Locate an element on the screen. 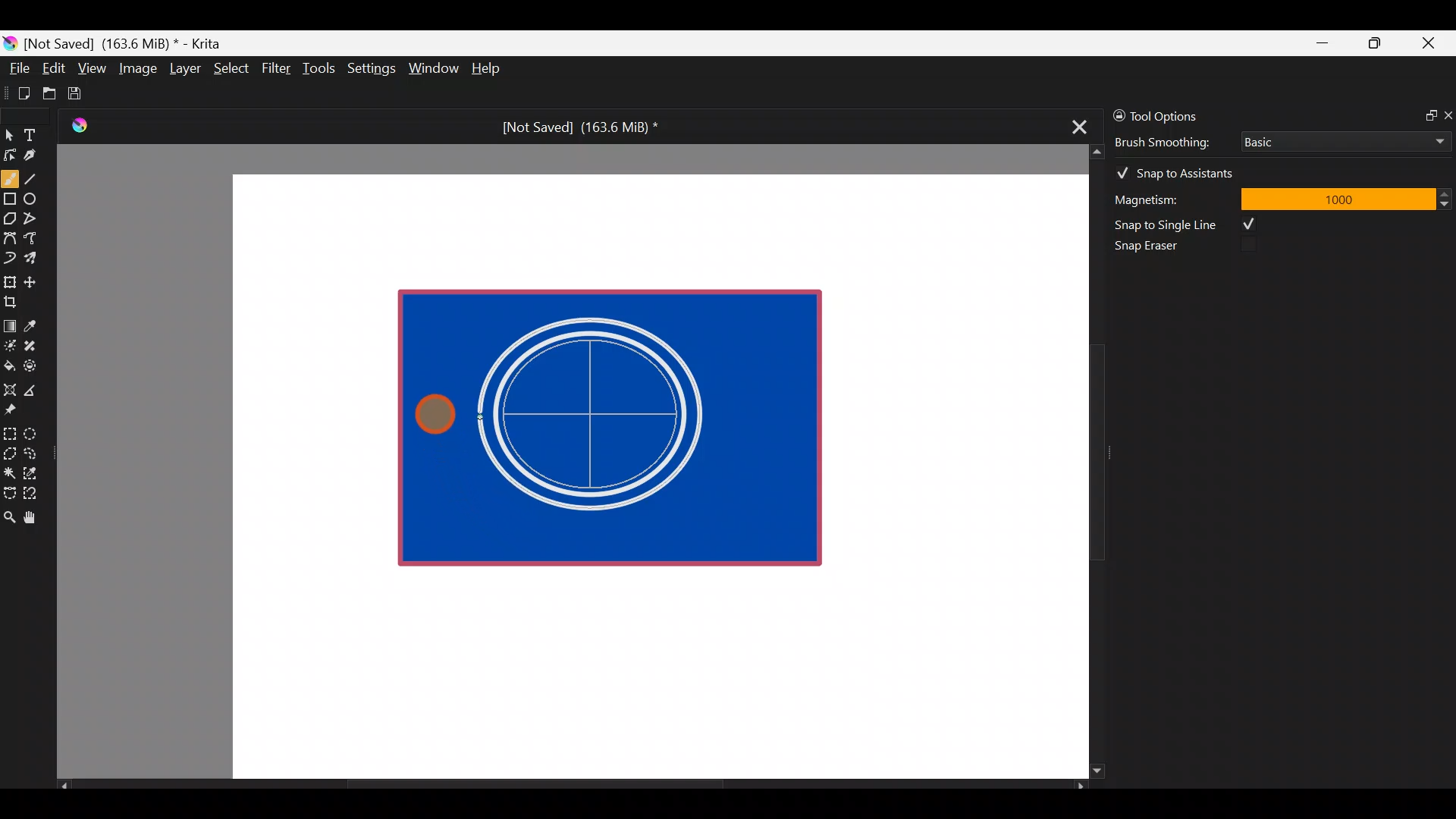  Freehand path tool is located at coordinates (38, 240).